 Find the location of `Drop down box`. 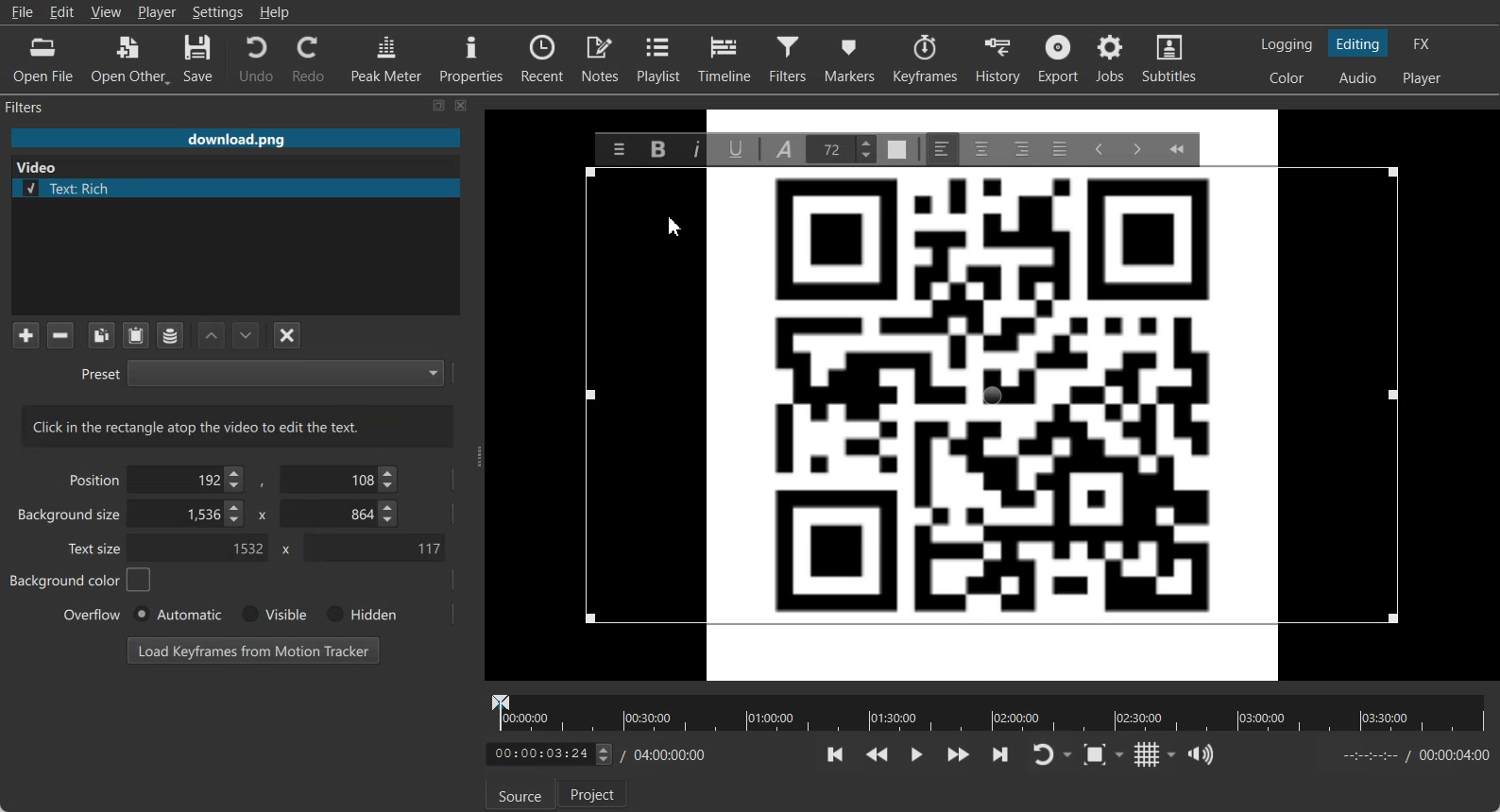

Drop down box is located at coordinates (1172, 754).